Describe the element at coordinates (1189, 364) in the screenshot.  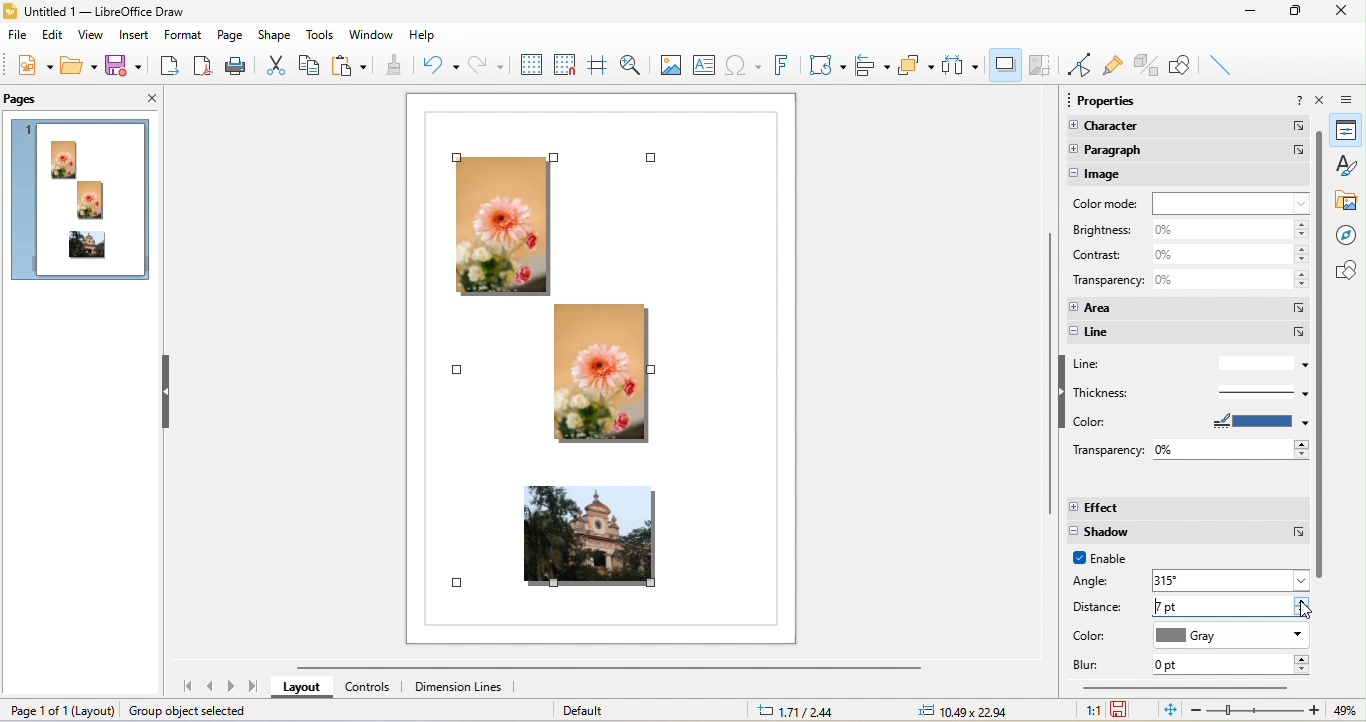
I see `line` at that location.